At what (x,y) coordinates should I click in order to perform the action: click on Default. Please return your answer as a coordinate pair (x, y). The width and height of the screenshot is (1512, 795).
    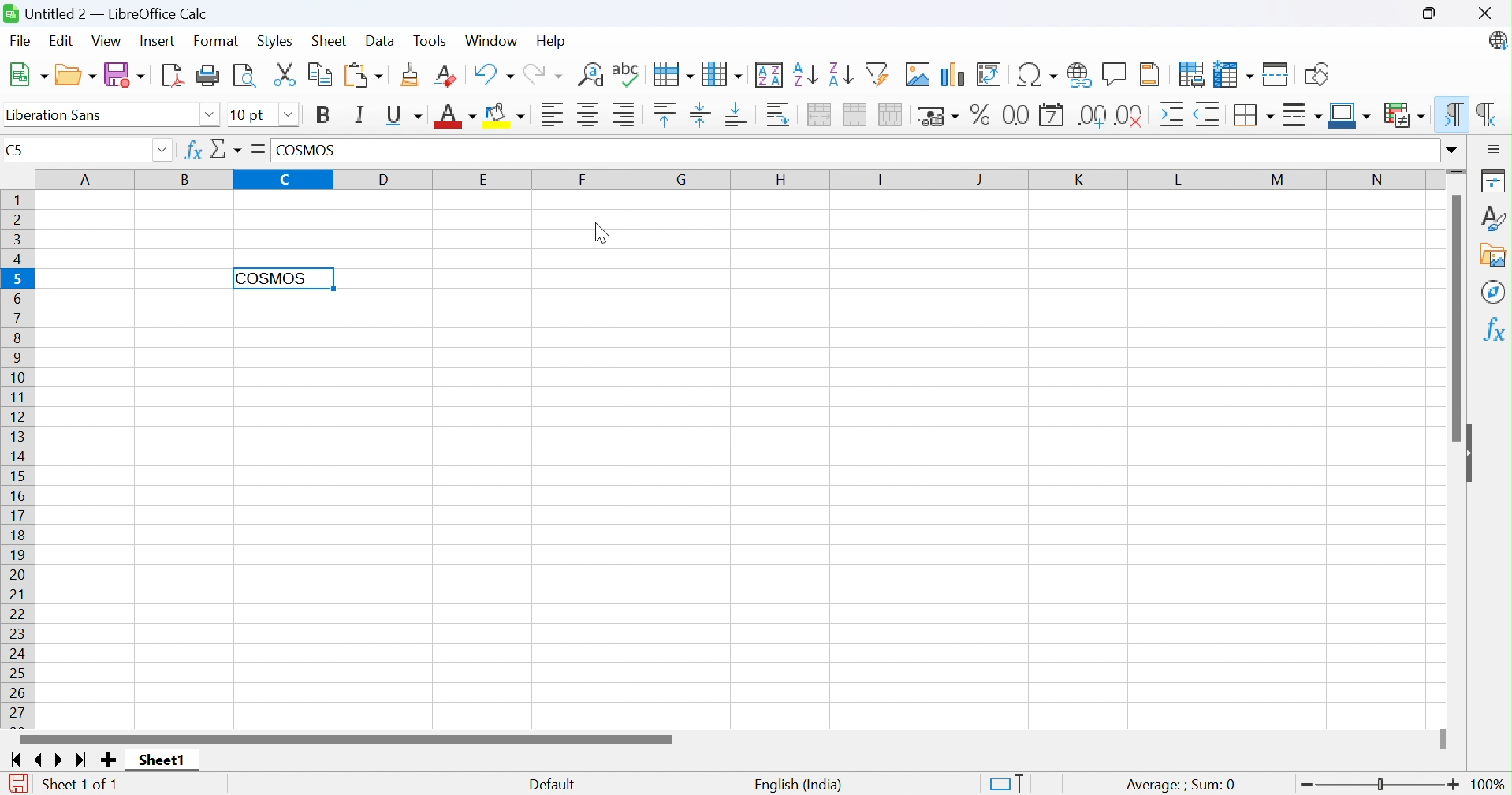
    Looking at the image, I should click on (553, 785).